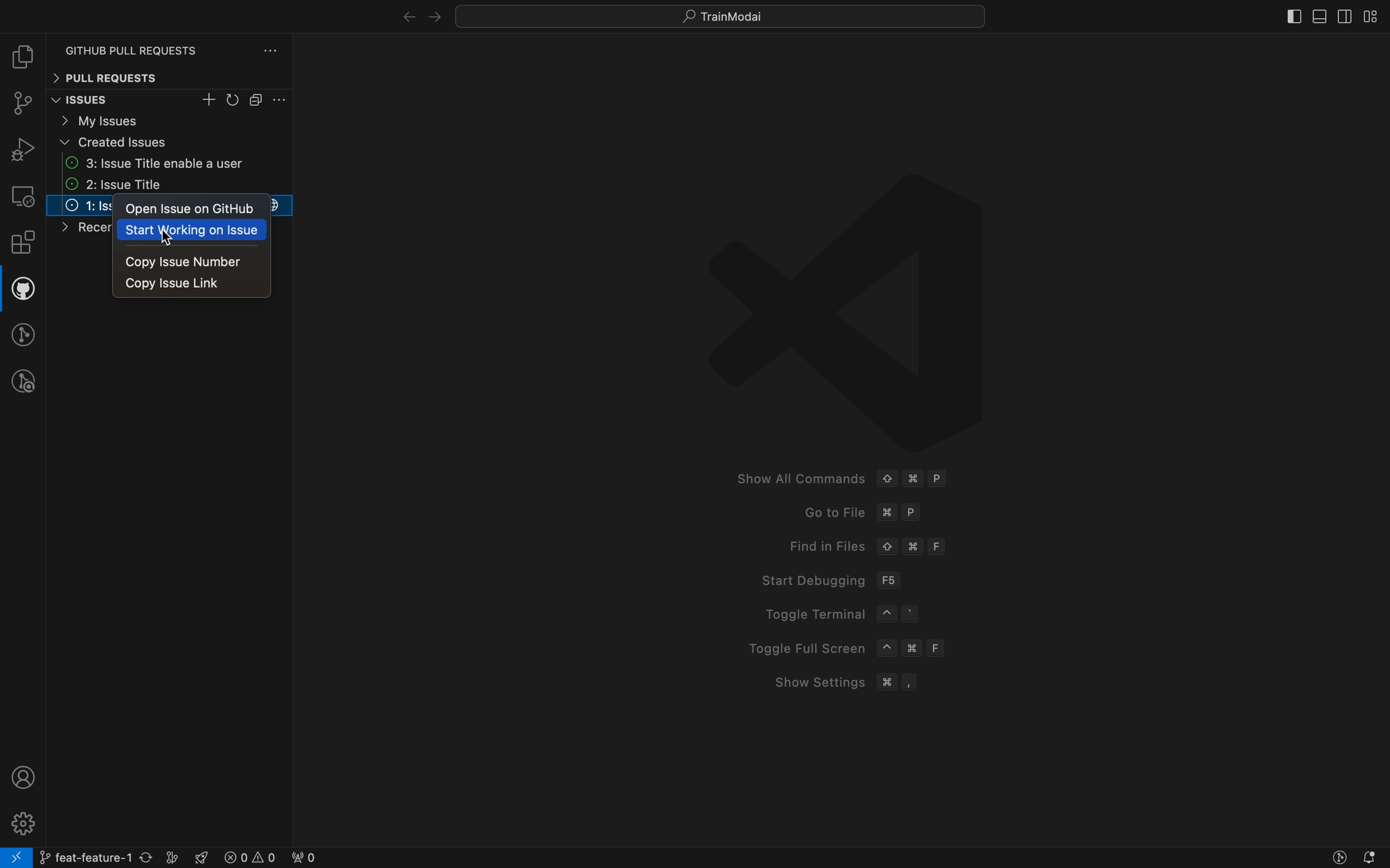 The width and height of the screenshot is (1390, 868). Describe the element at coordinates (22, 59) in the screenshot. I see `file explorer ` at that location.